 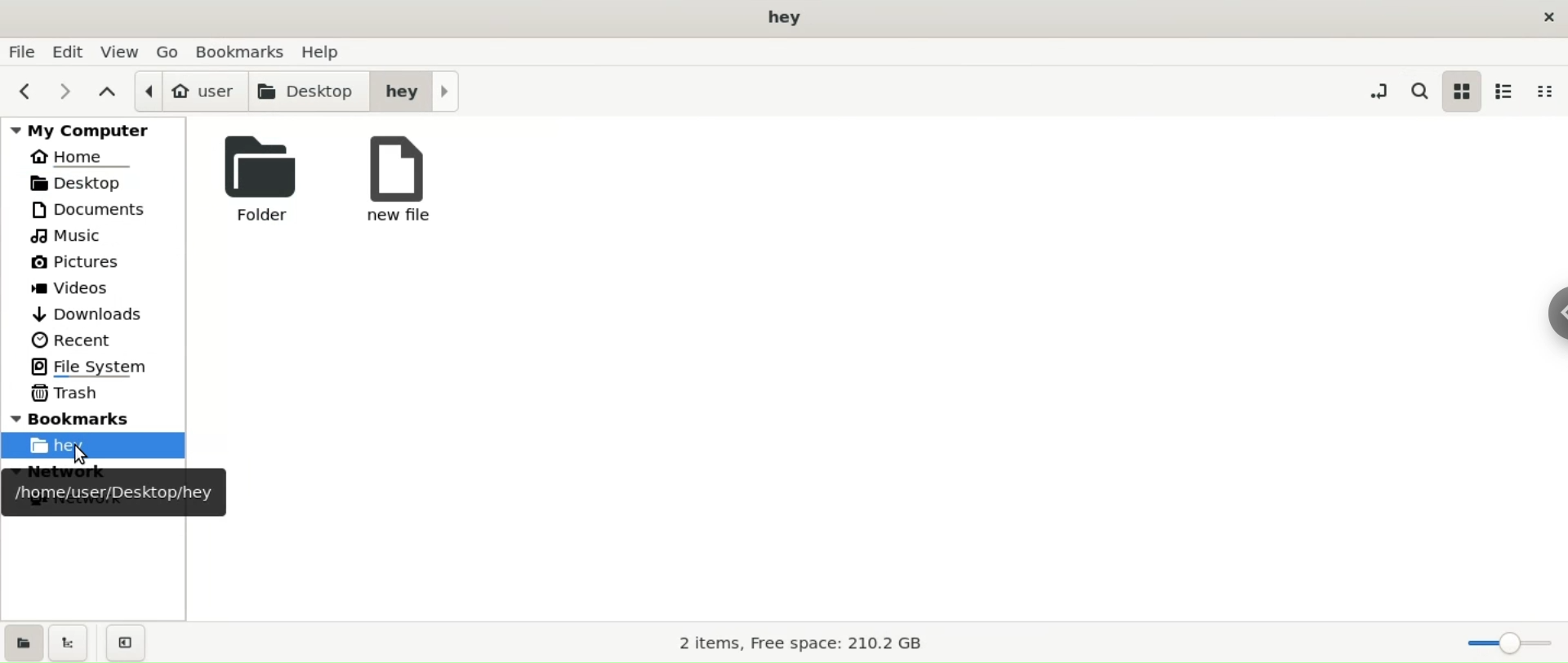 What do you see at coordinates (1508, 91) in the screenshot?
I see `list view` at bounding box center [1508, 91].